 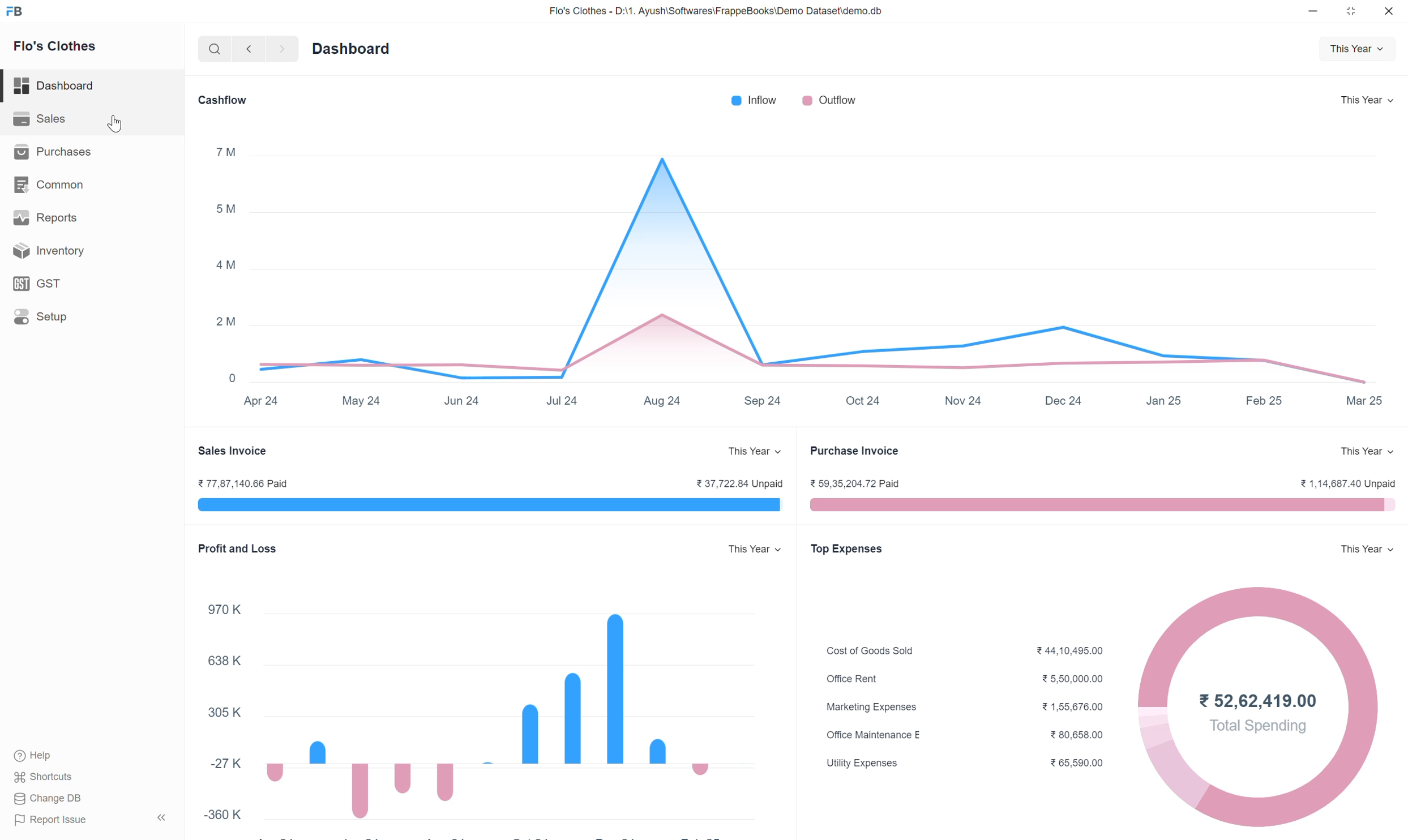 What do you see at coordinates (46, 822) in the screenshot?
I see `Report Issue` at bounding box center [46, 822].